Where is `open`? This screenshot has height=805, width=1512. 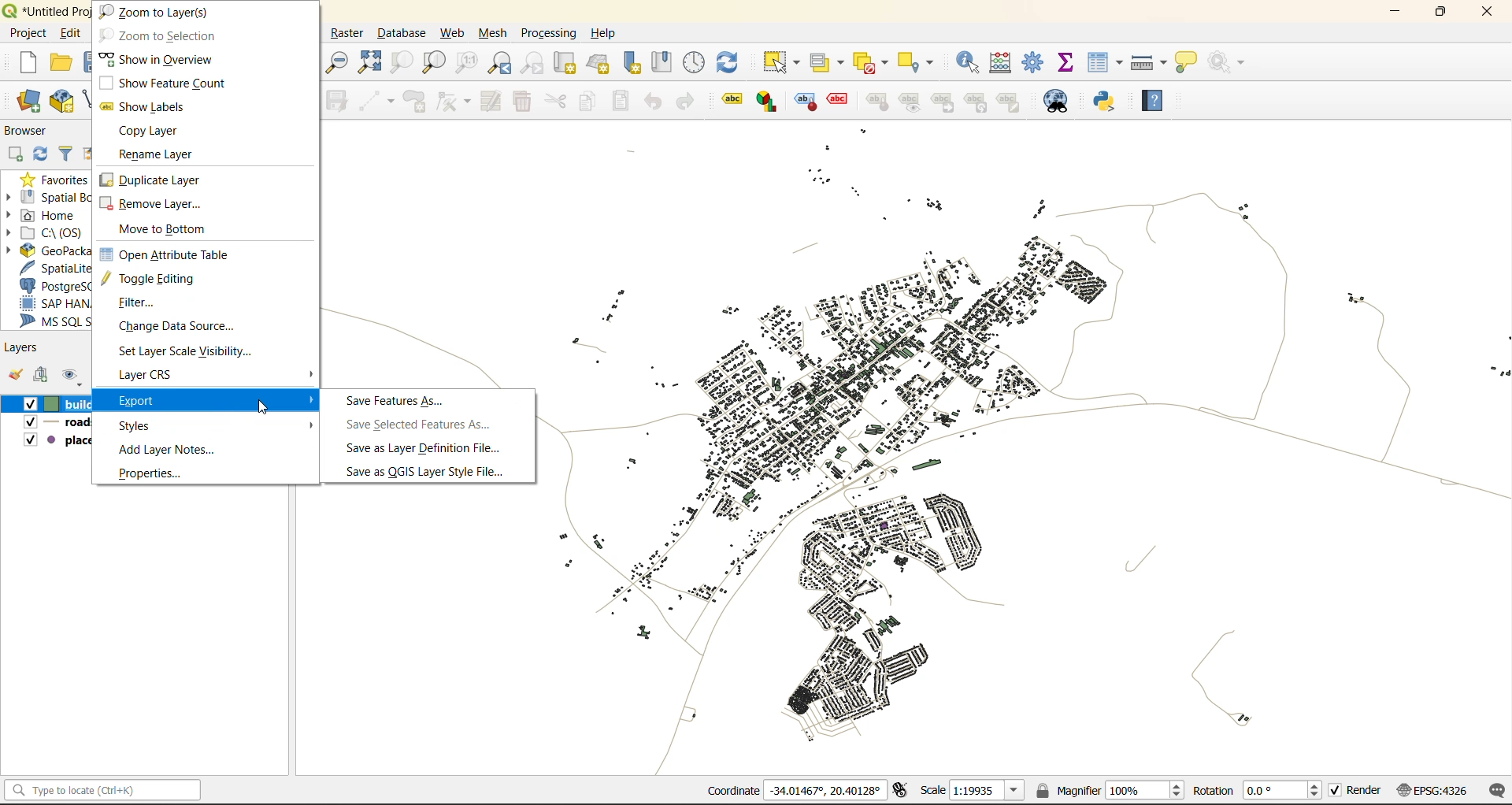
open is located at coordinates (58, 62).